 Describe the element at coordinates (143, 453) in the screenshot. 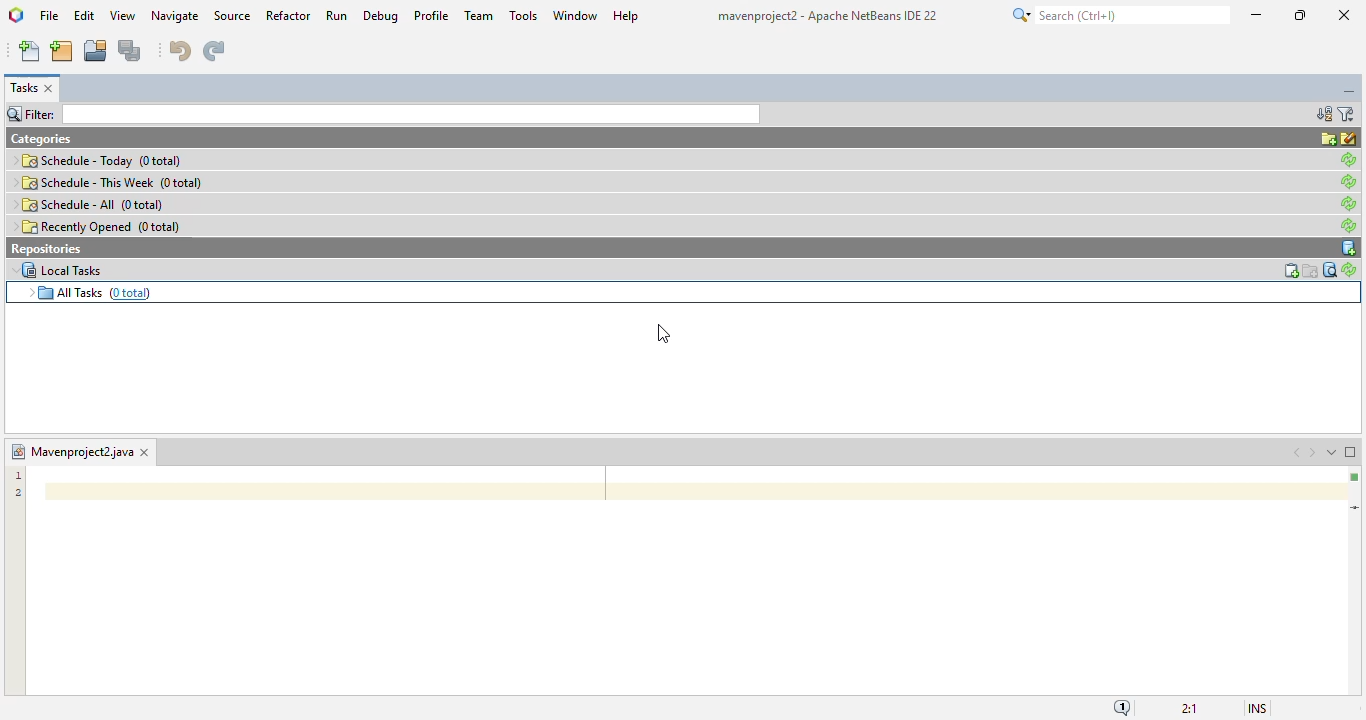

I see `close window` at that location.